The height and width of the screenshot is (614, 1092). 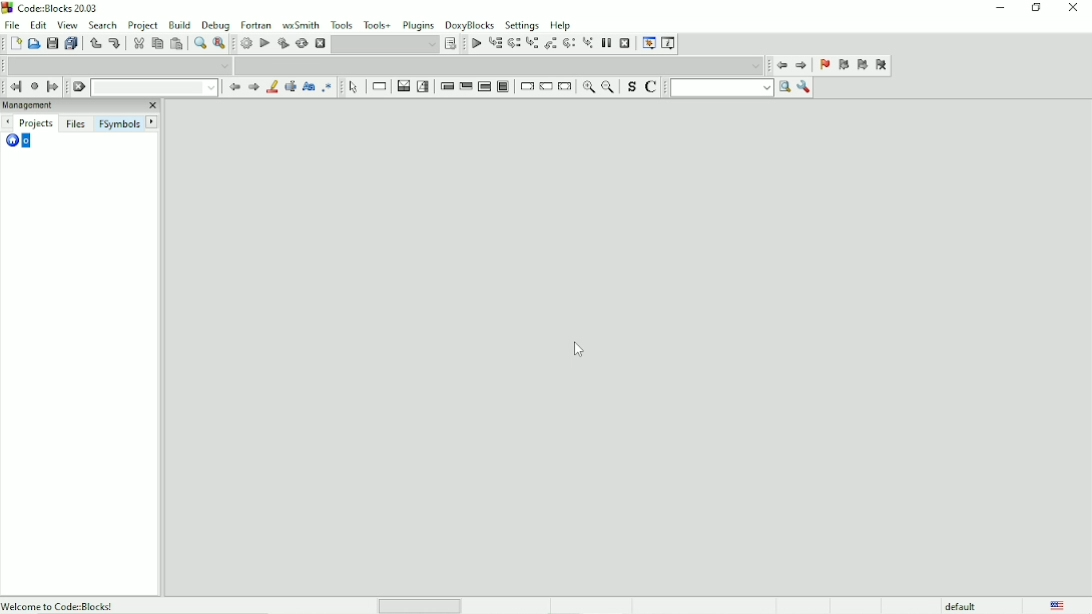 What do you see at coordinates (289, 87) in the screenshot?
I see `Selected text` at bounding box center [289, 87].